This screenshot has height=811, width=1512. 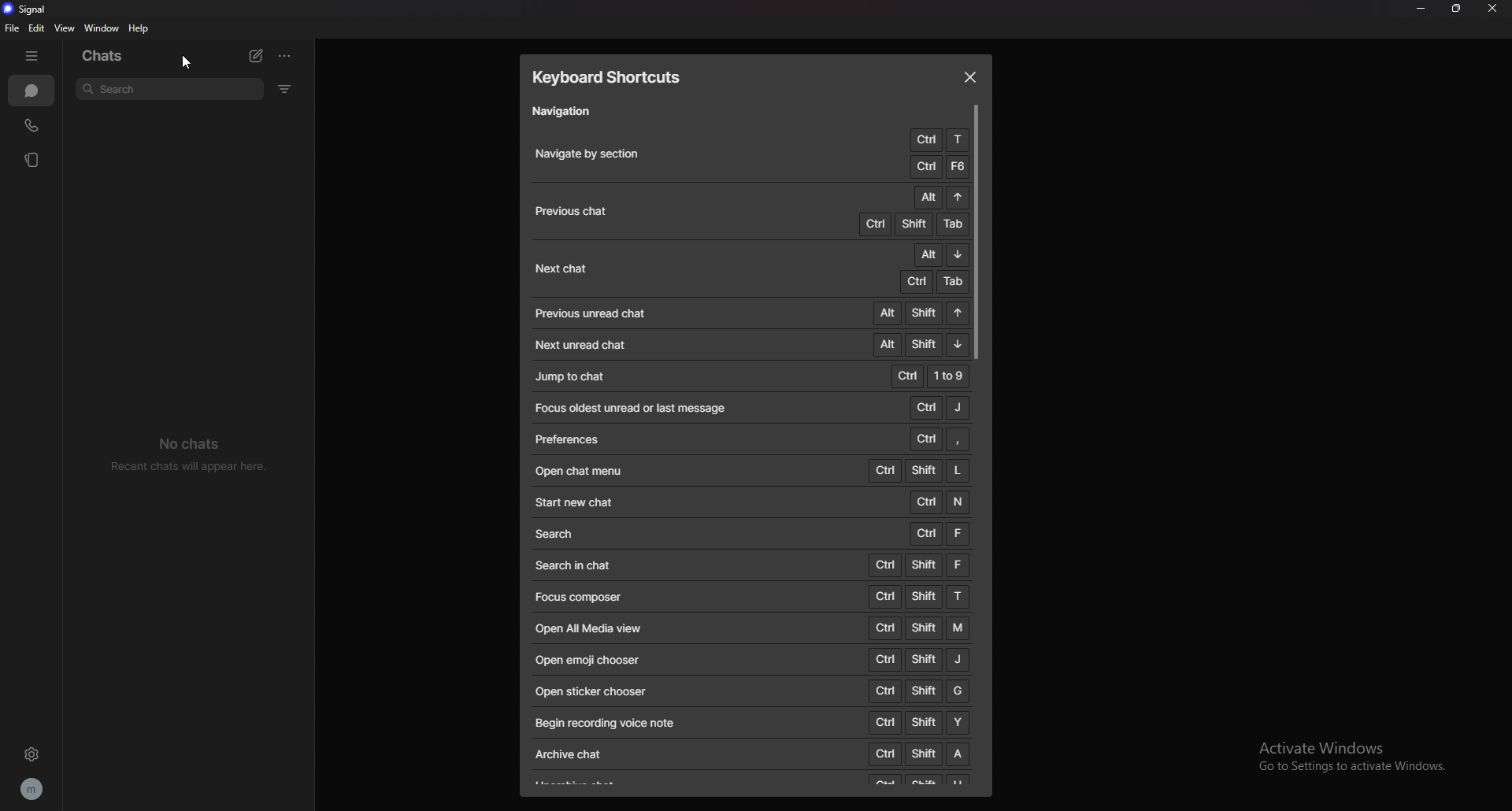 I want to click on , so click(x=569, y=440).